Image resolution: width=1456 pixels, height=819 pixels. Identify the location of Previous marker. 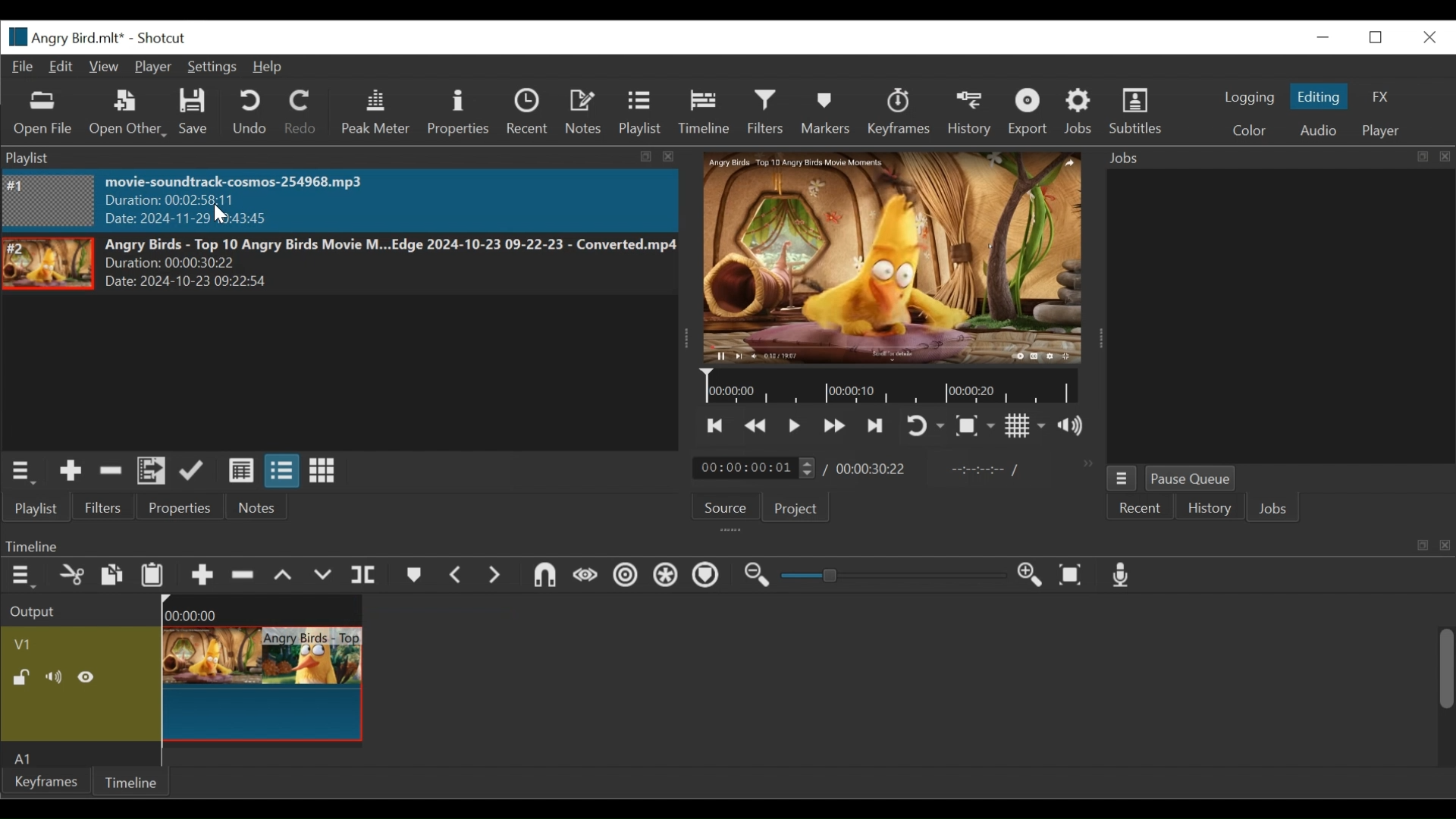
(456, 574).